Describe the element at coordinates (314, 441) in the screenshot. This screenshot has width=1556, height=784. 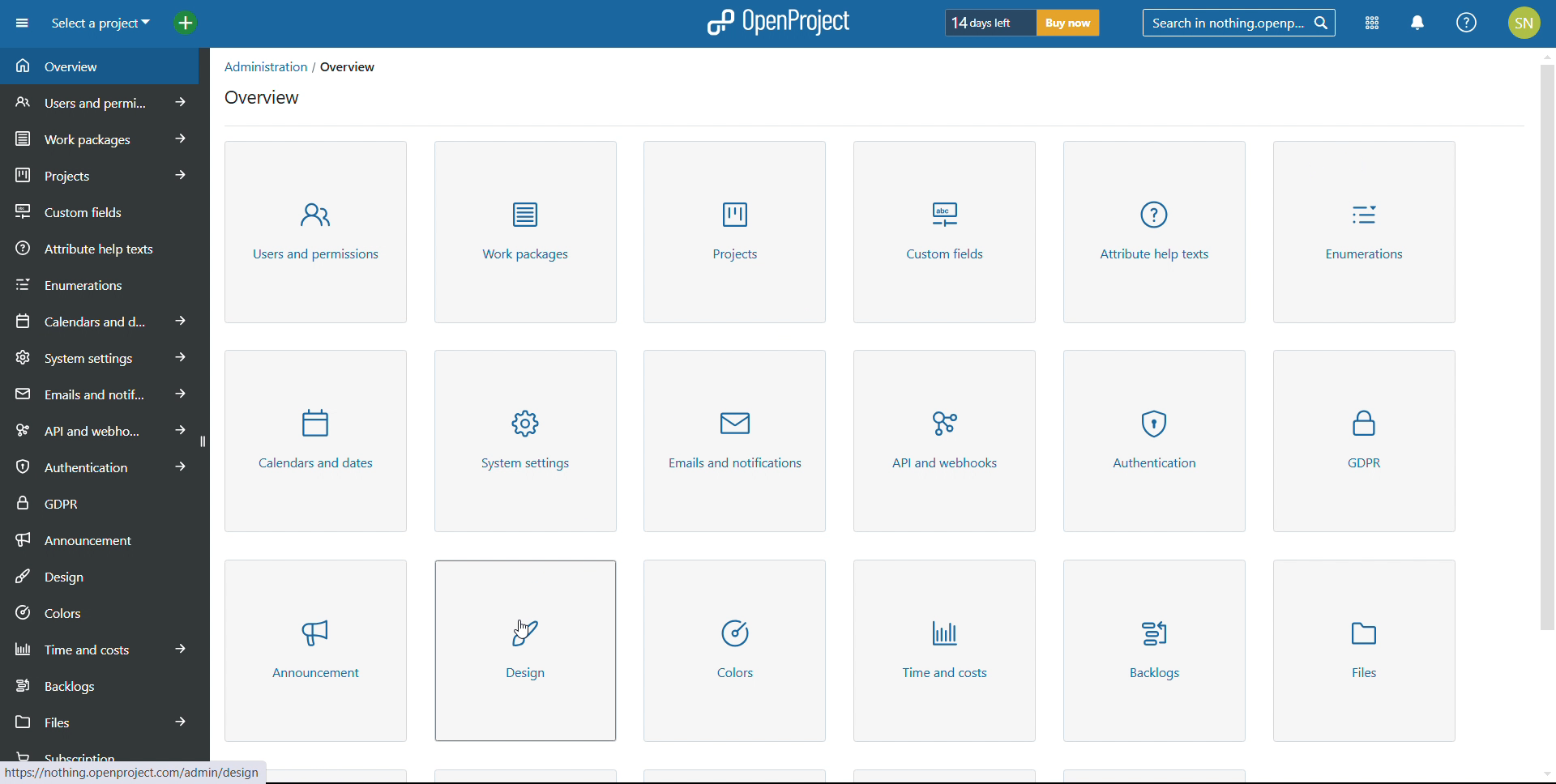
I see `calendars and dates` at that location.